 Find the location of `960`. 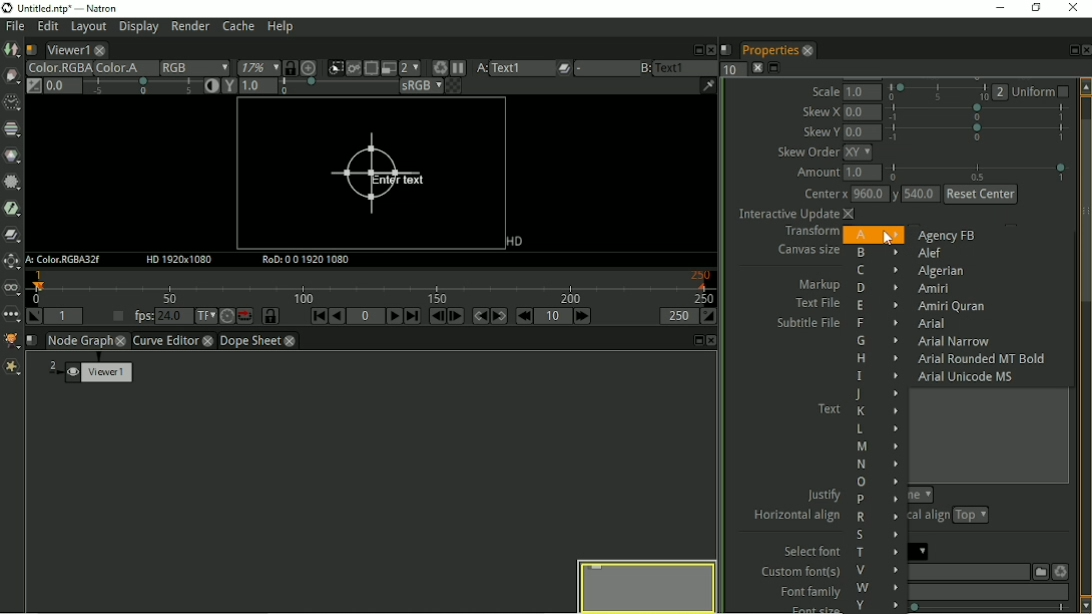

960 is located at coordinates (868, 194).